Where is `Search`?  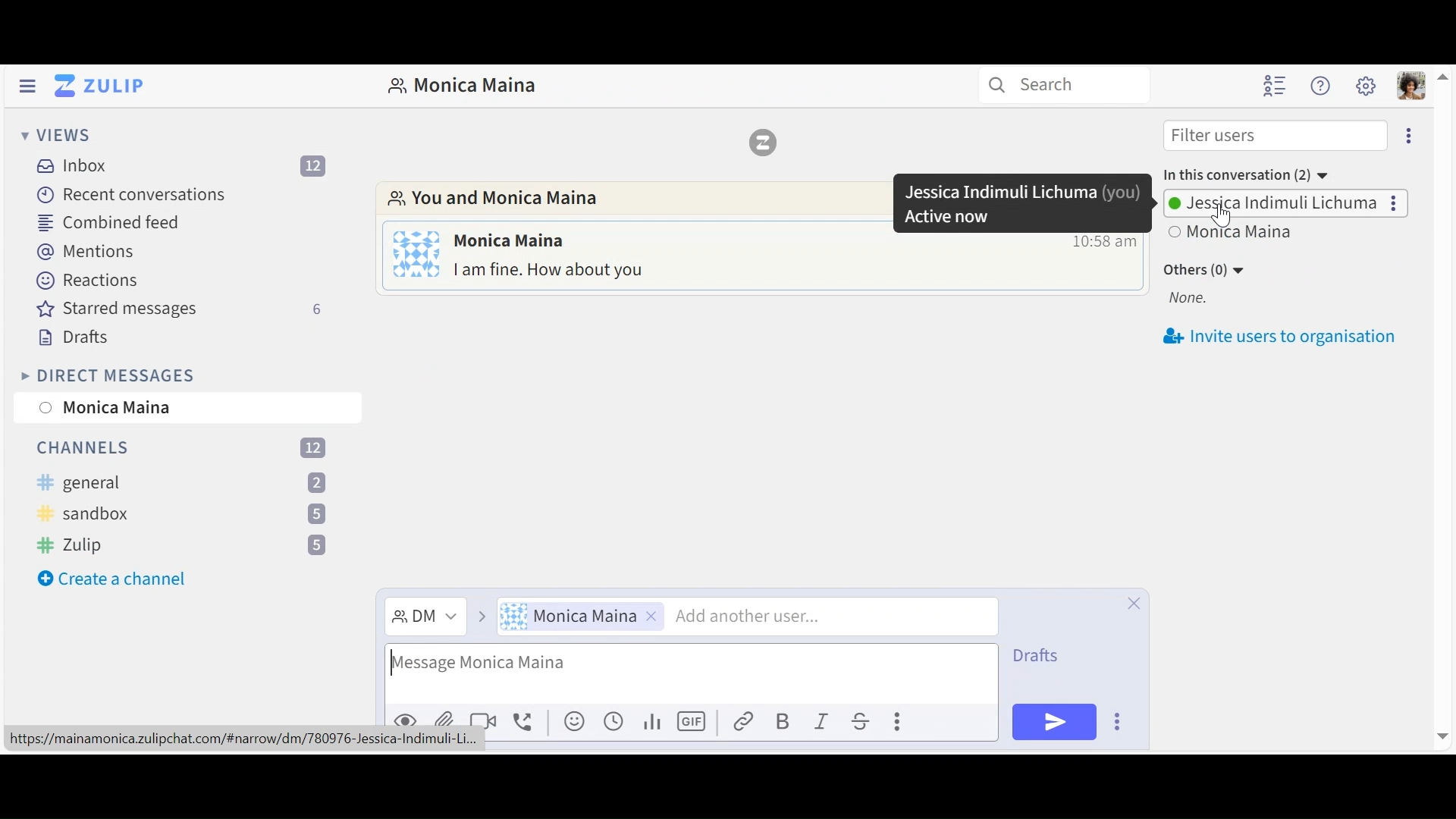
Search is located at coordinates (1062, 83).